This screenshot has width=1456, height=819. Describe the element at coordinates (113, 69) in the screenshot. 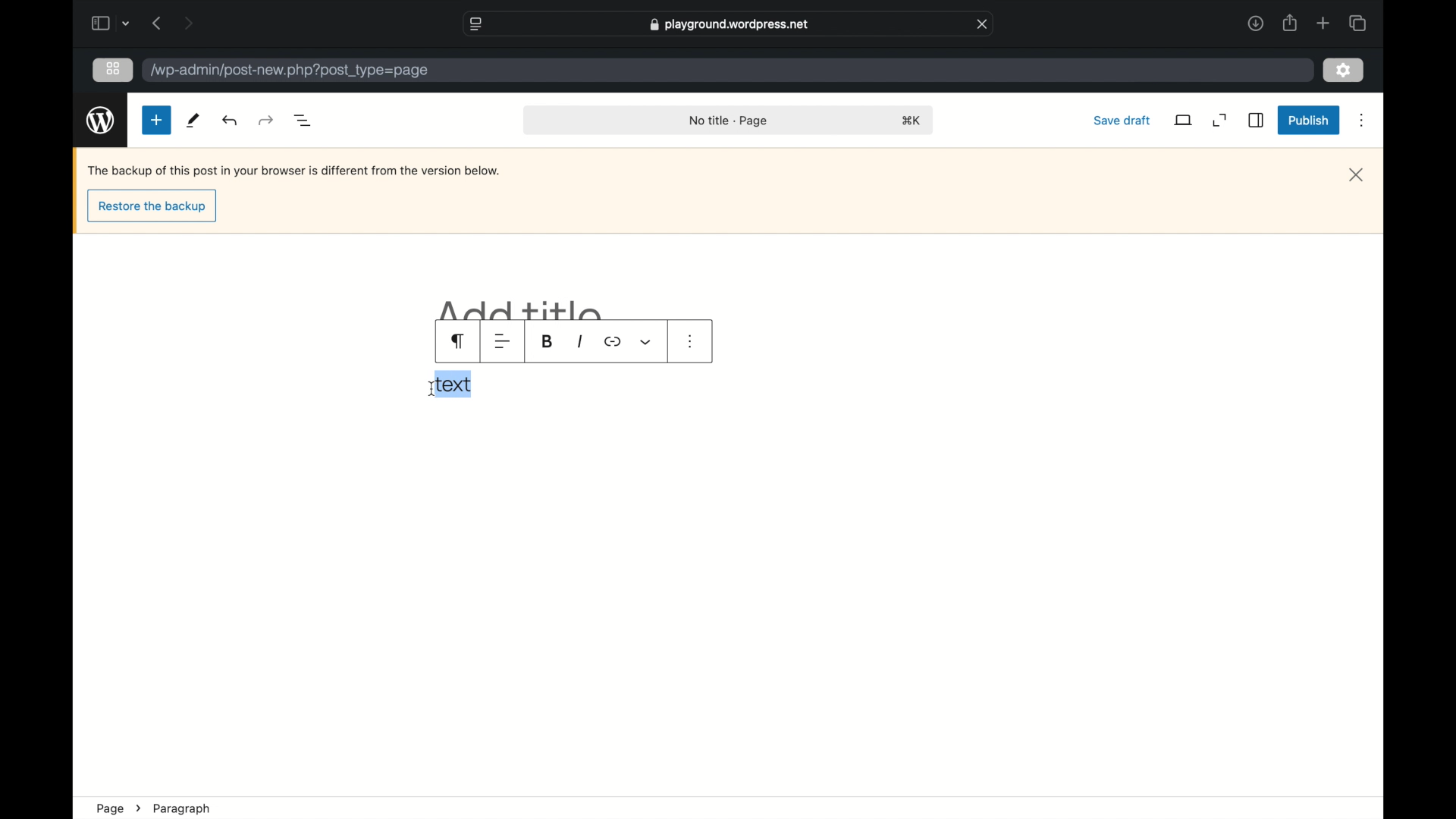

I see `grid view` at that location.